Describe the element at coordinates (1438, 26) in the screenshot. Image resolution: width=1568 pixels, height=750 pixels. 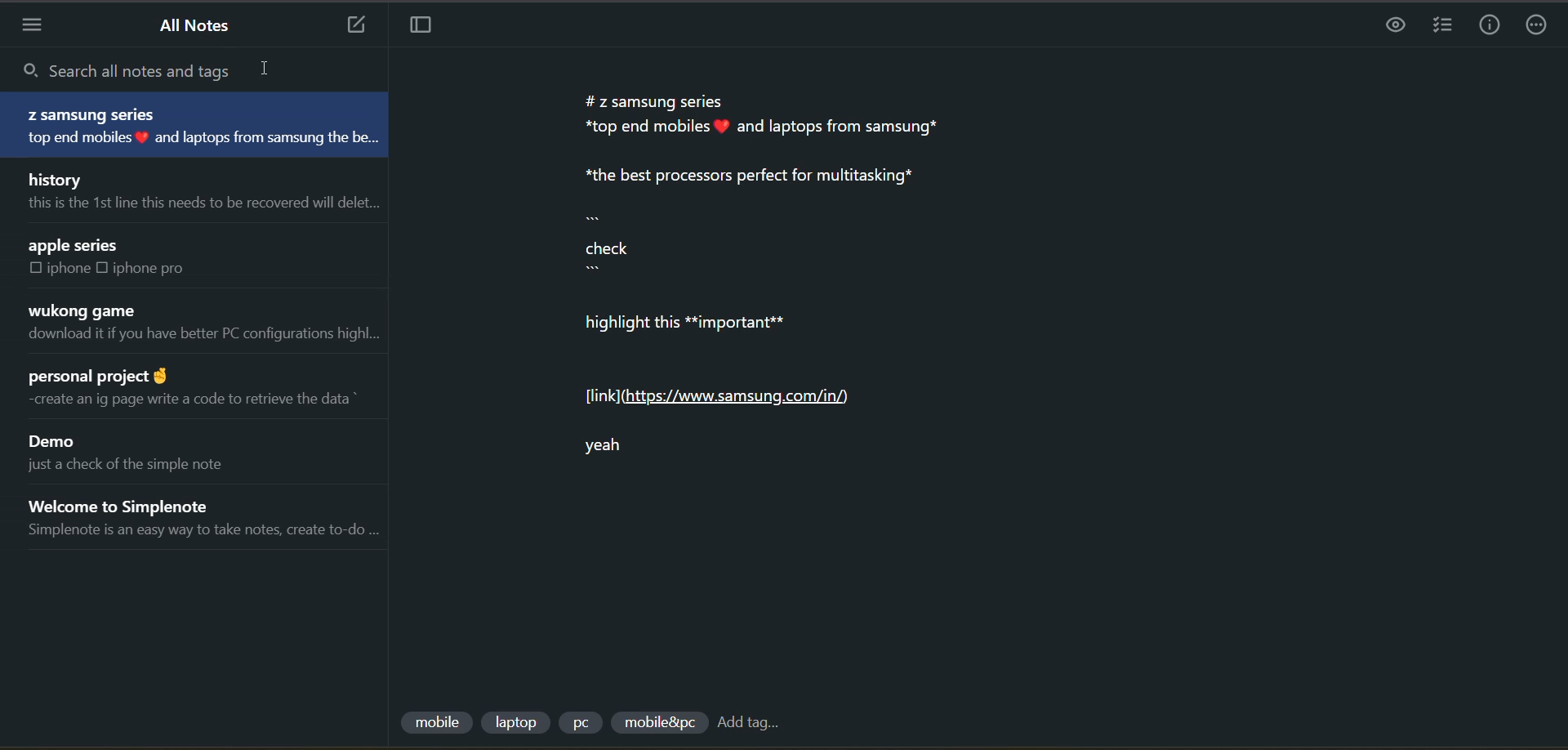
I see `insert checklist` at that location.